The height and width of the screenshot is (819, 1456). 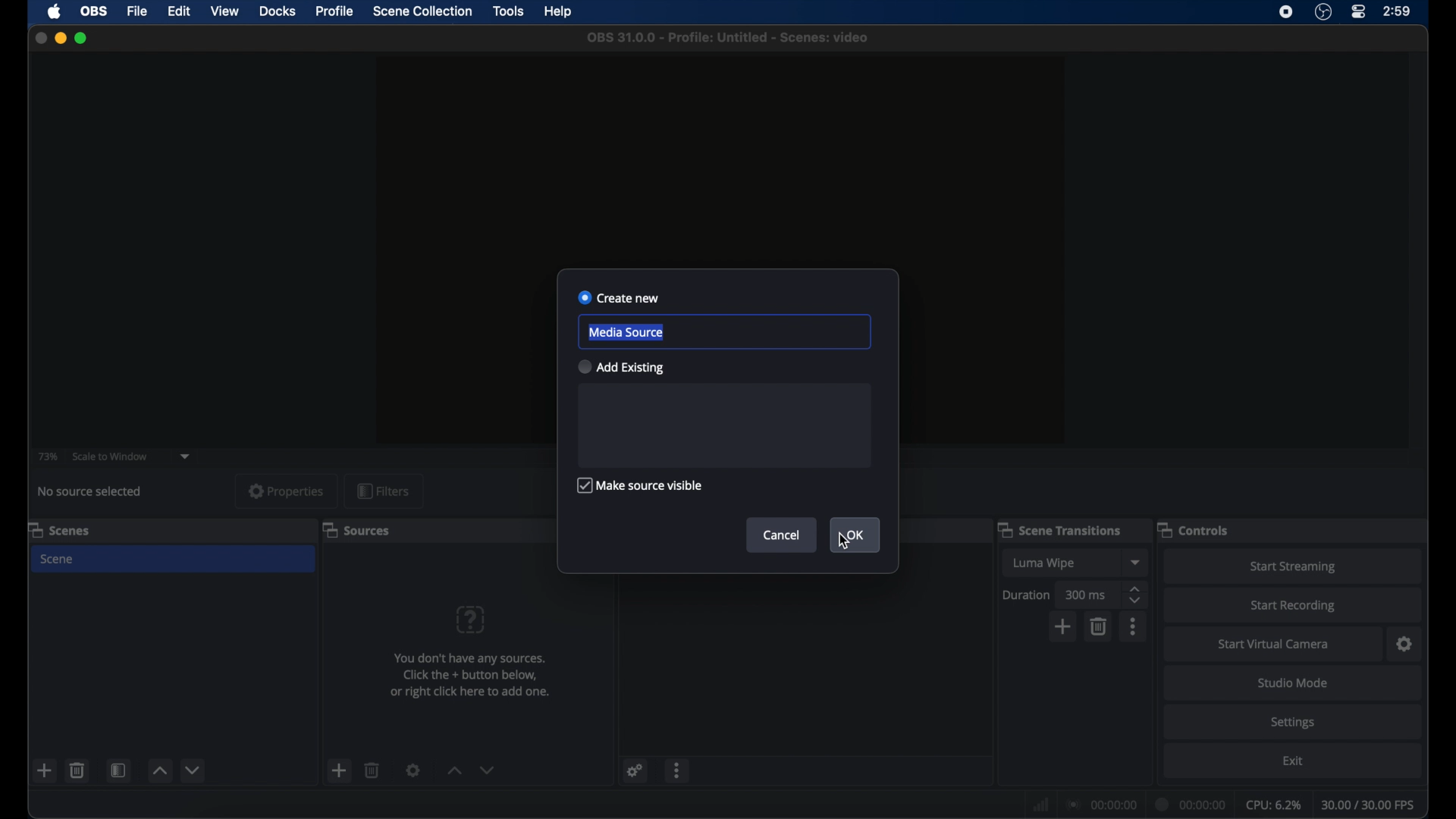 I want to click on info, so click(x=472, y=675).